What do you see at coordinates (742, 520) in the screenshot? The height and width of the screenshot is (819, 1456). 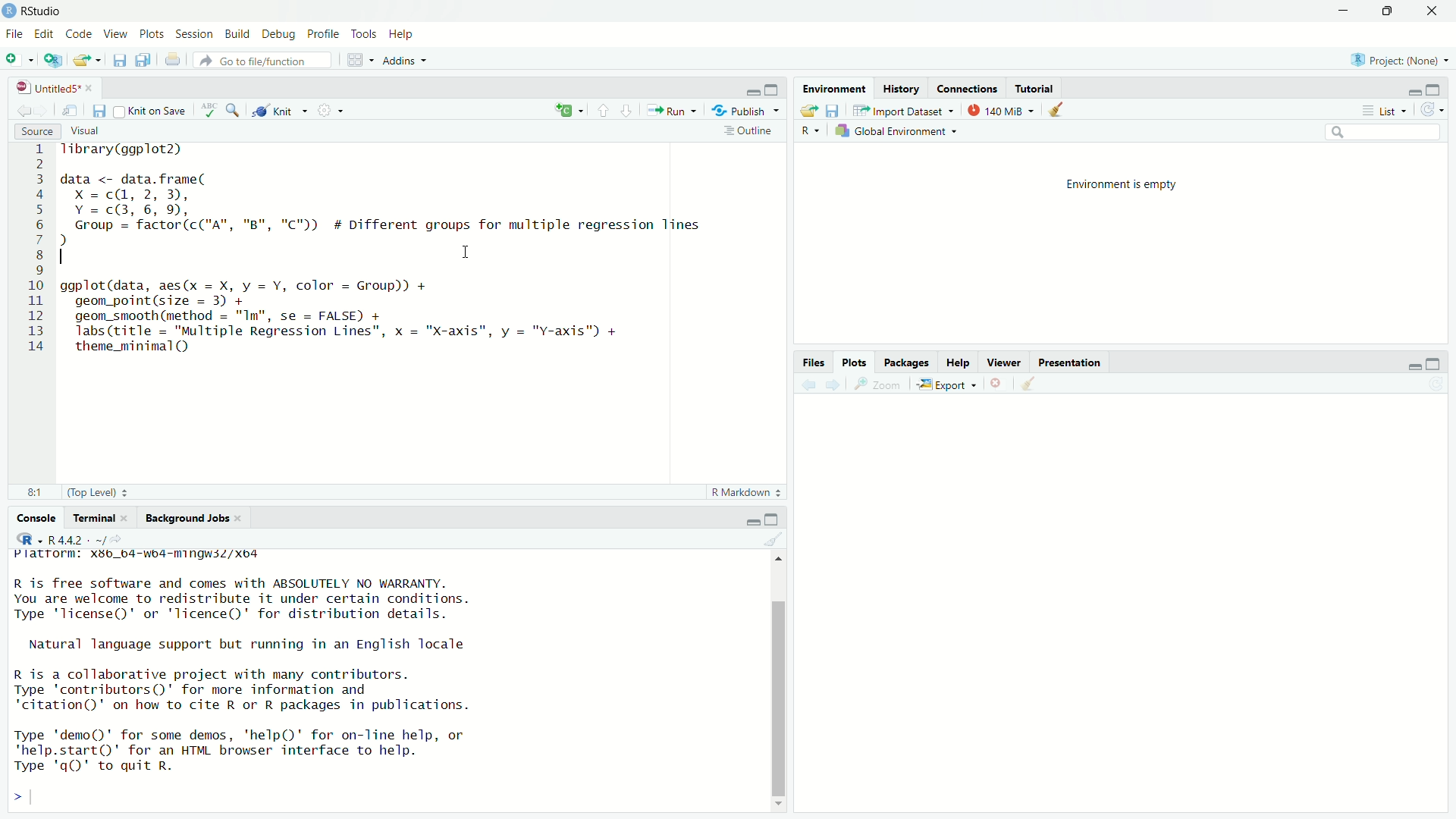 I see `minimise` at bounding box center [742, 520].